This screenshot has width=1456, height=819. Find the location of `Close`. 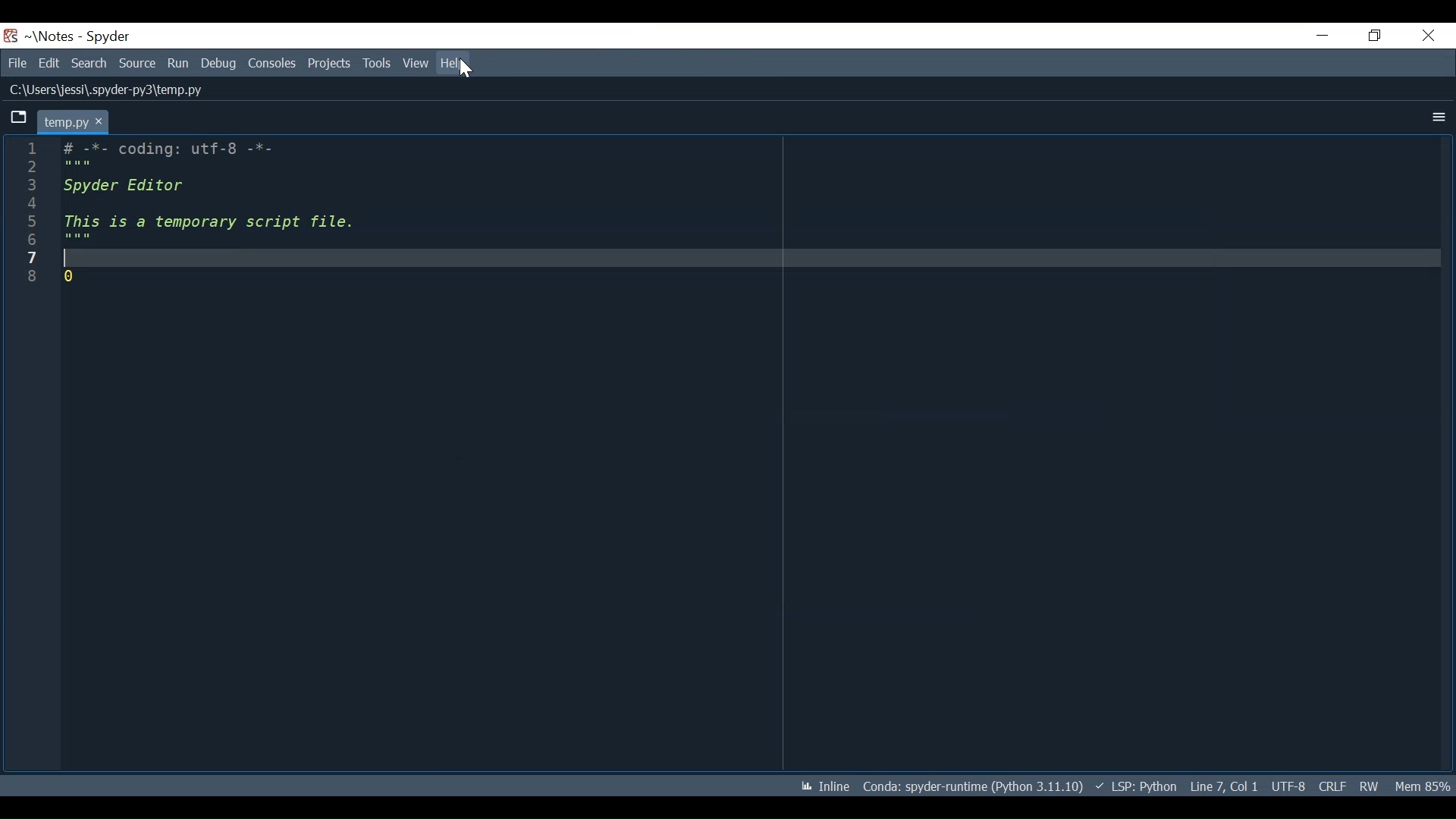

Close is located at coordinates (1428, 34).